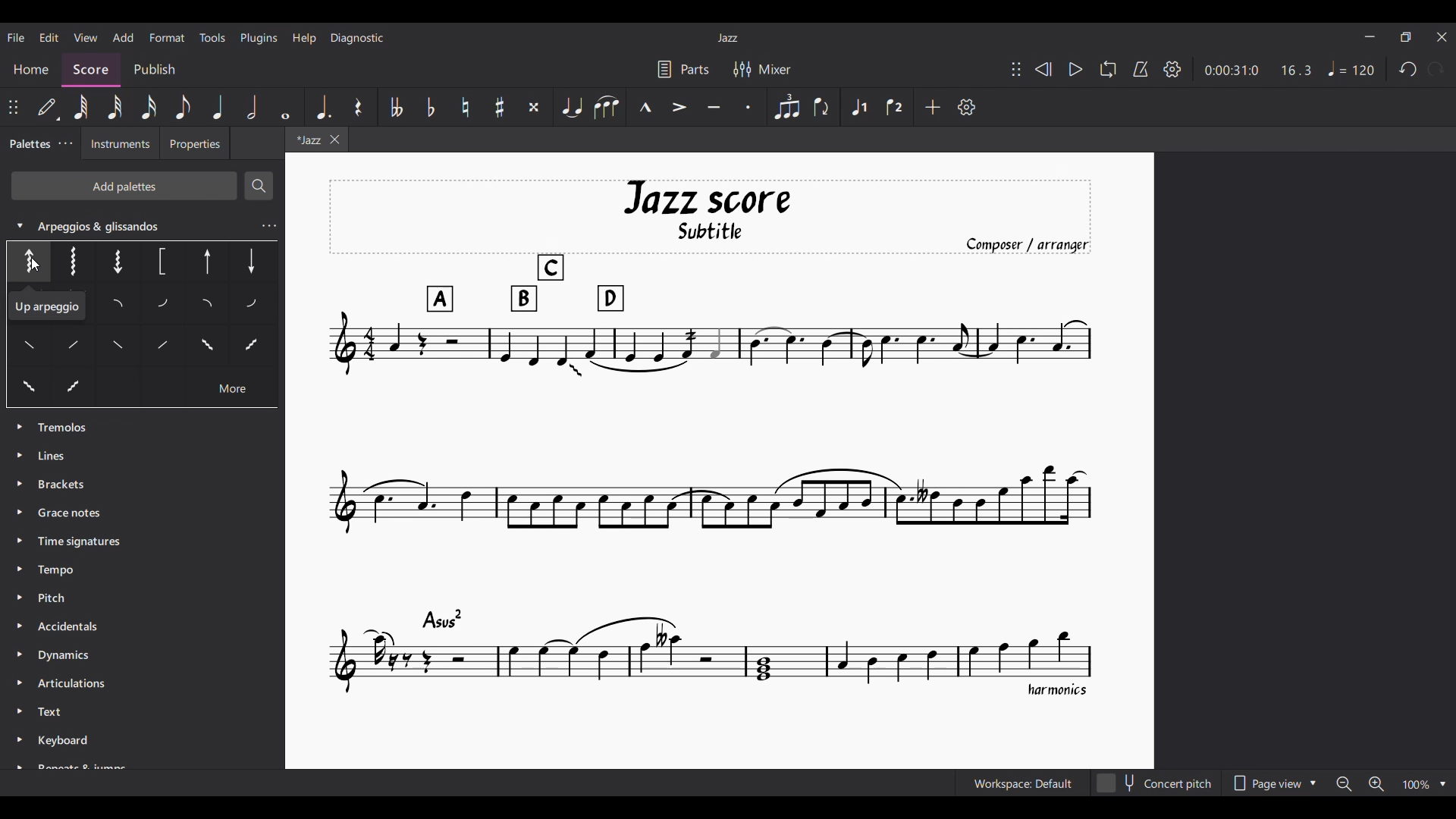 This screenshot has width=1456, height=819. I want to click on Tools menu, so click(212, 37).